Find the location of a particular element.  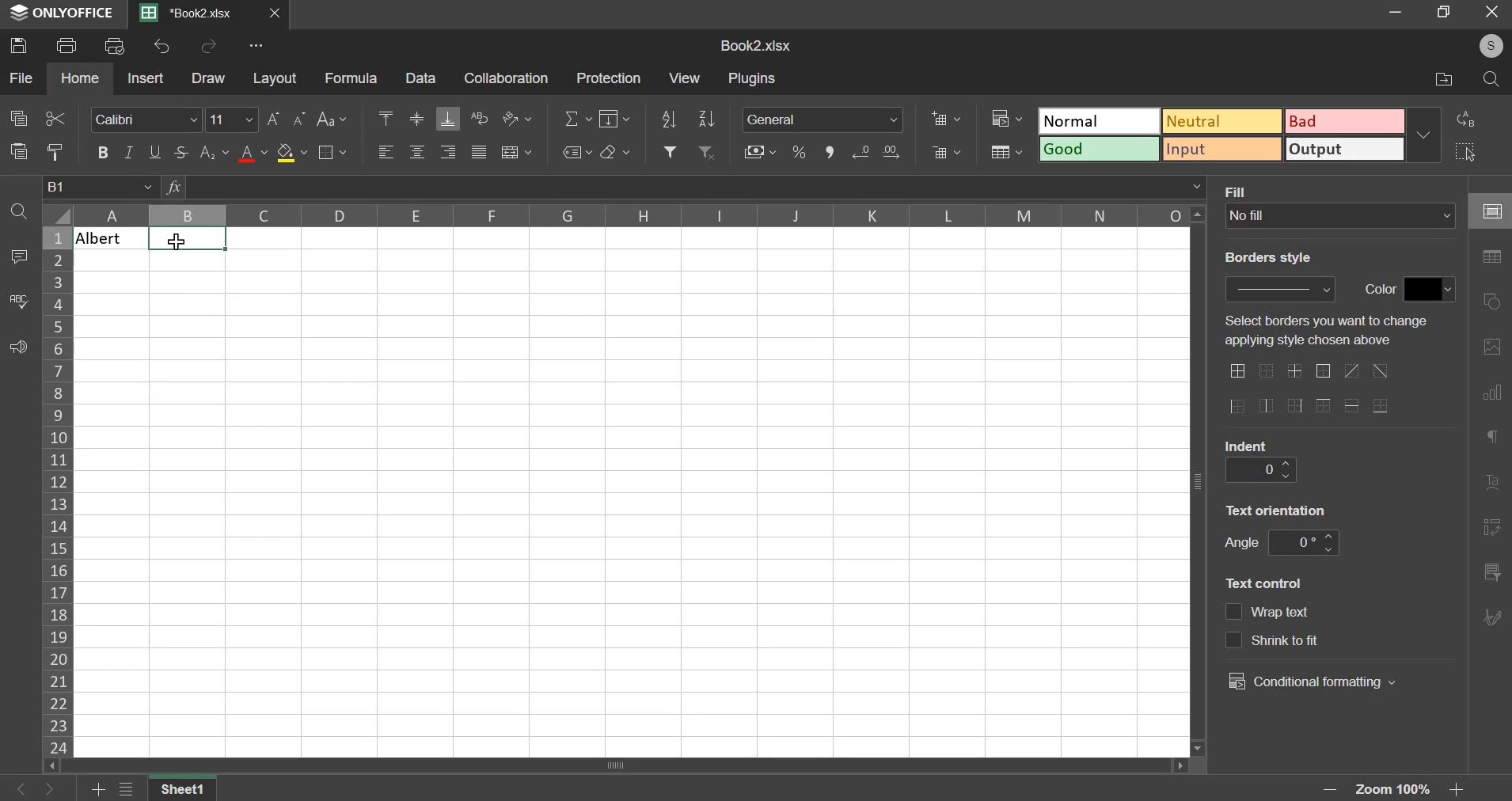

add cells is located at coordinates (946, 117).